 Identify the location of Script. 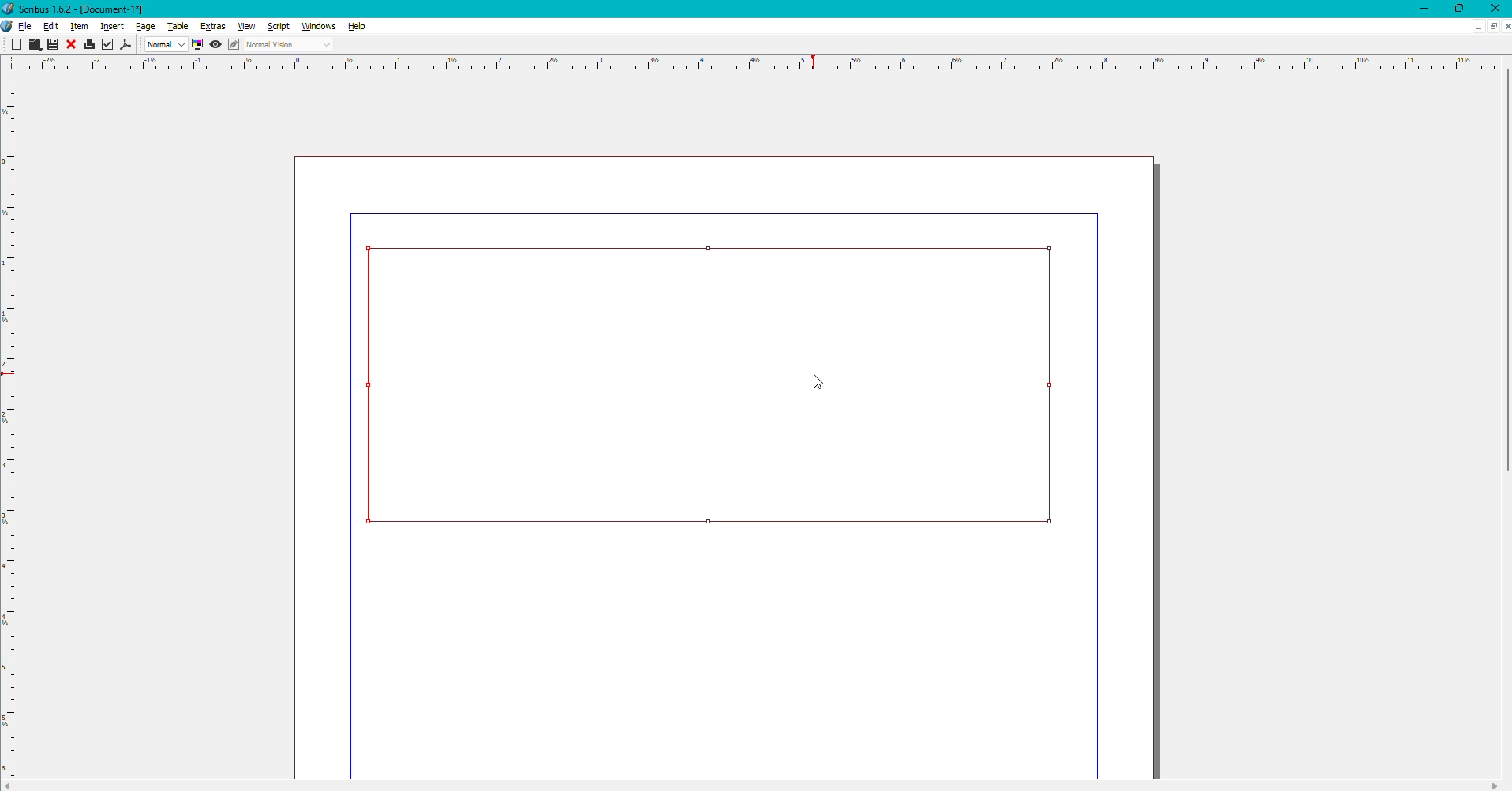
(278, 27).